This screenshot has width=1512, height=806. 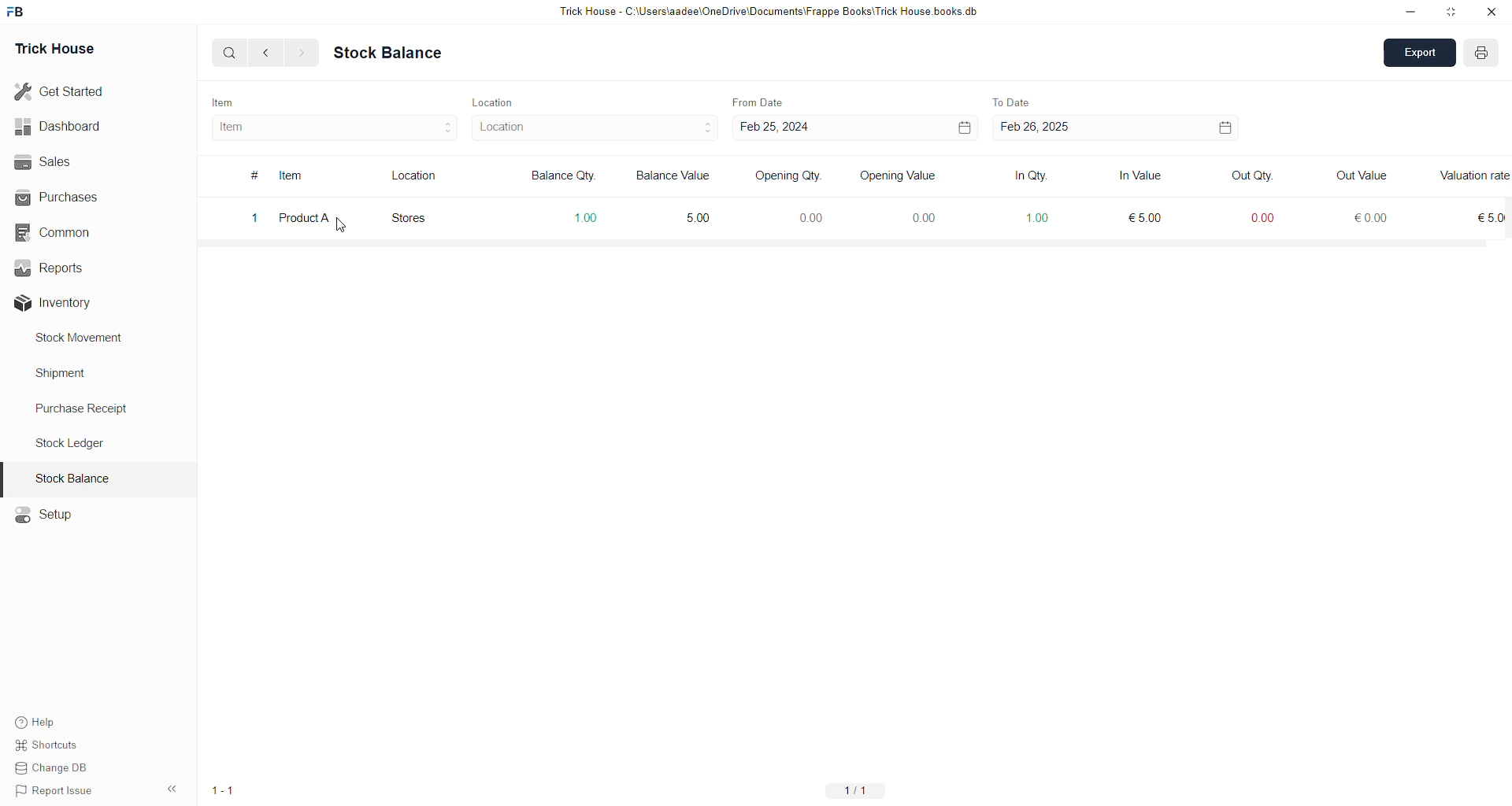 I want to click on Back, so click(x=266, y=54).